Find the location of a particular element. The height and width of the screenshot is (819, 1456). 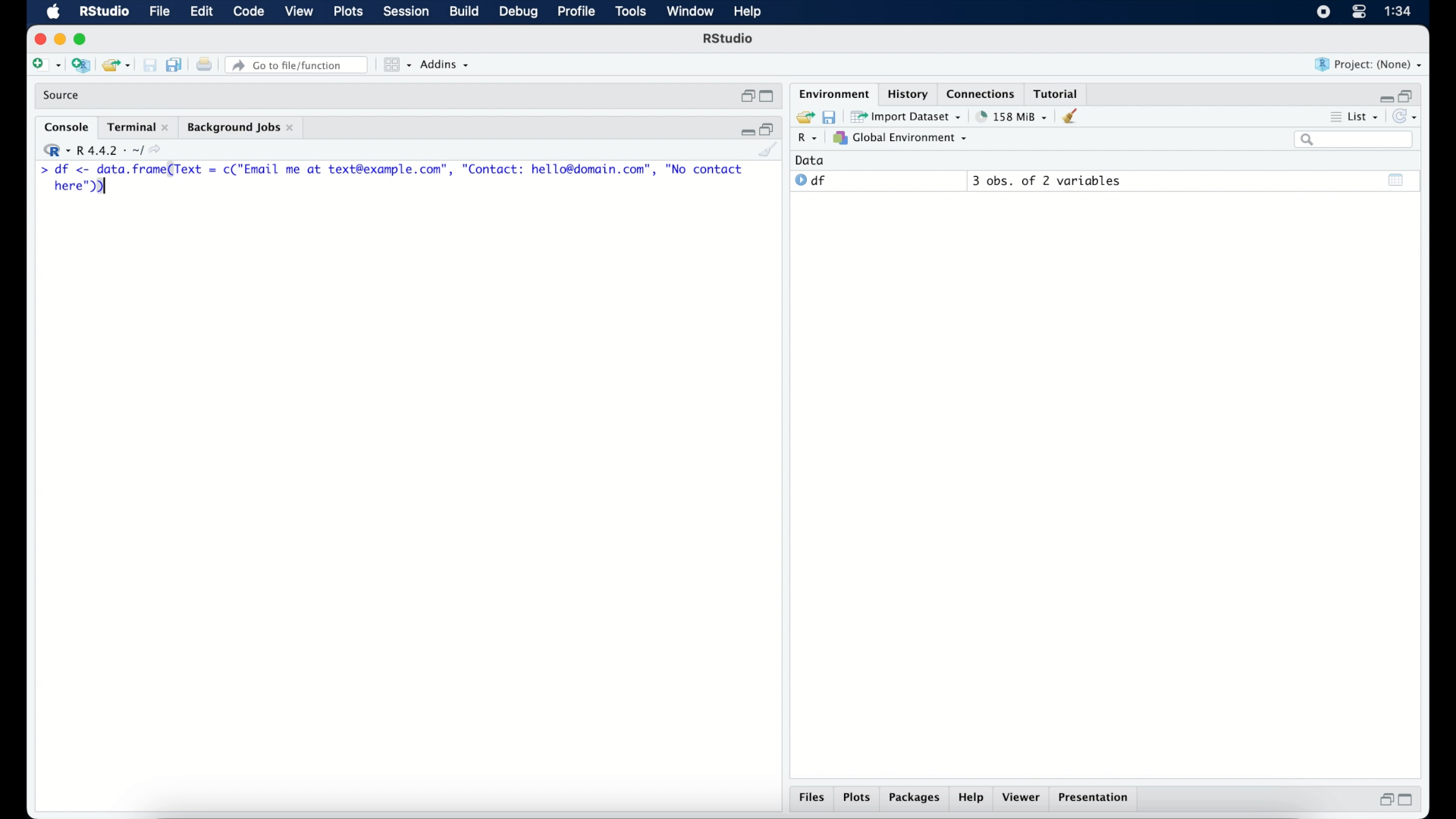

restore down is located at coordinates (745, 96).